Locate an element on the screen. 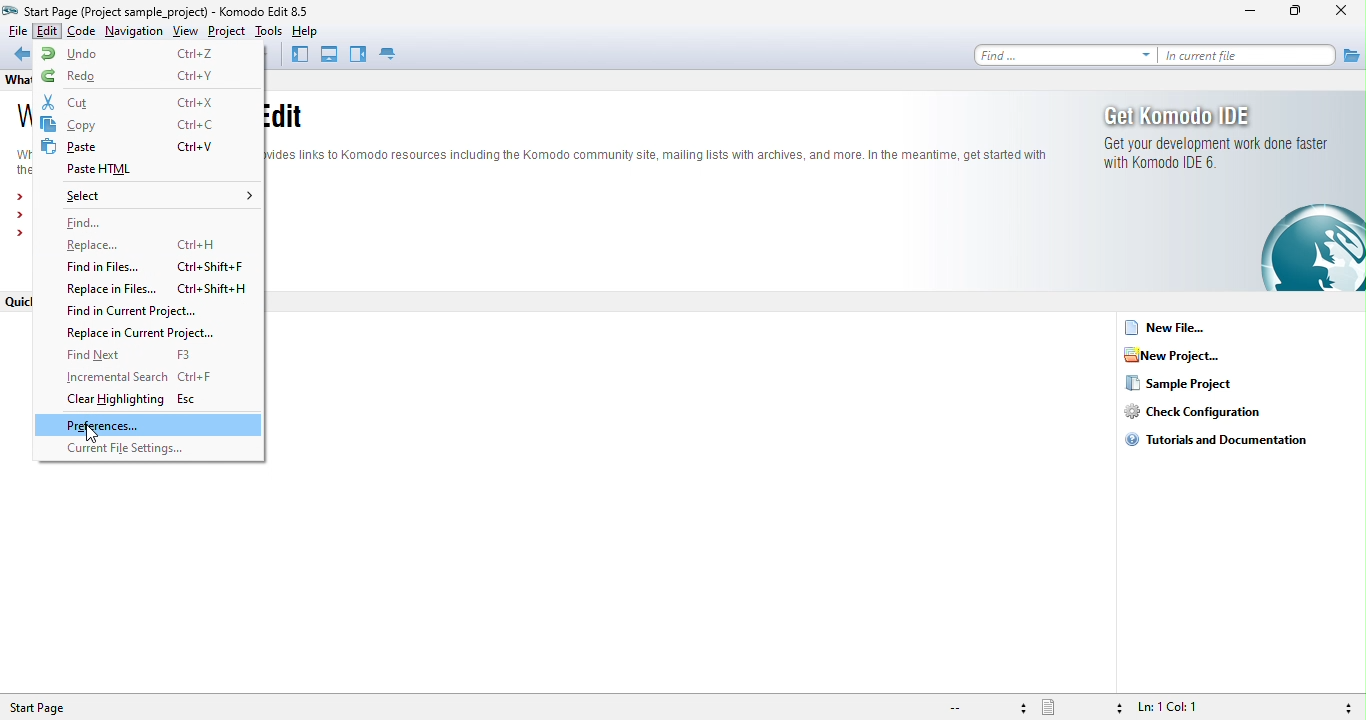  incremental search is located at coordinates (147, 377).